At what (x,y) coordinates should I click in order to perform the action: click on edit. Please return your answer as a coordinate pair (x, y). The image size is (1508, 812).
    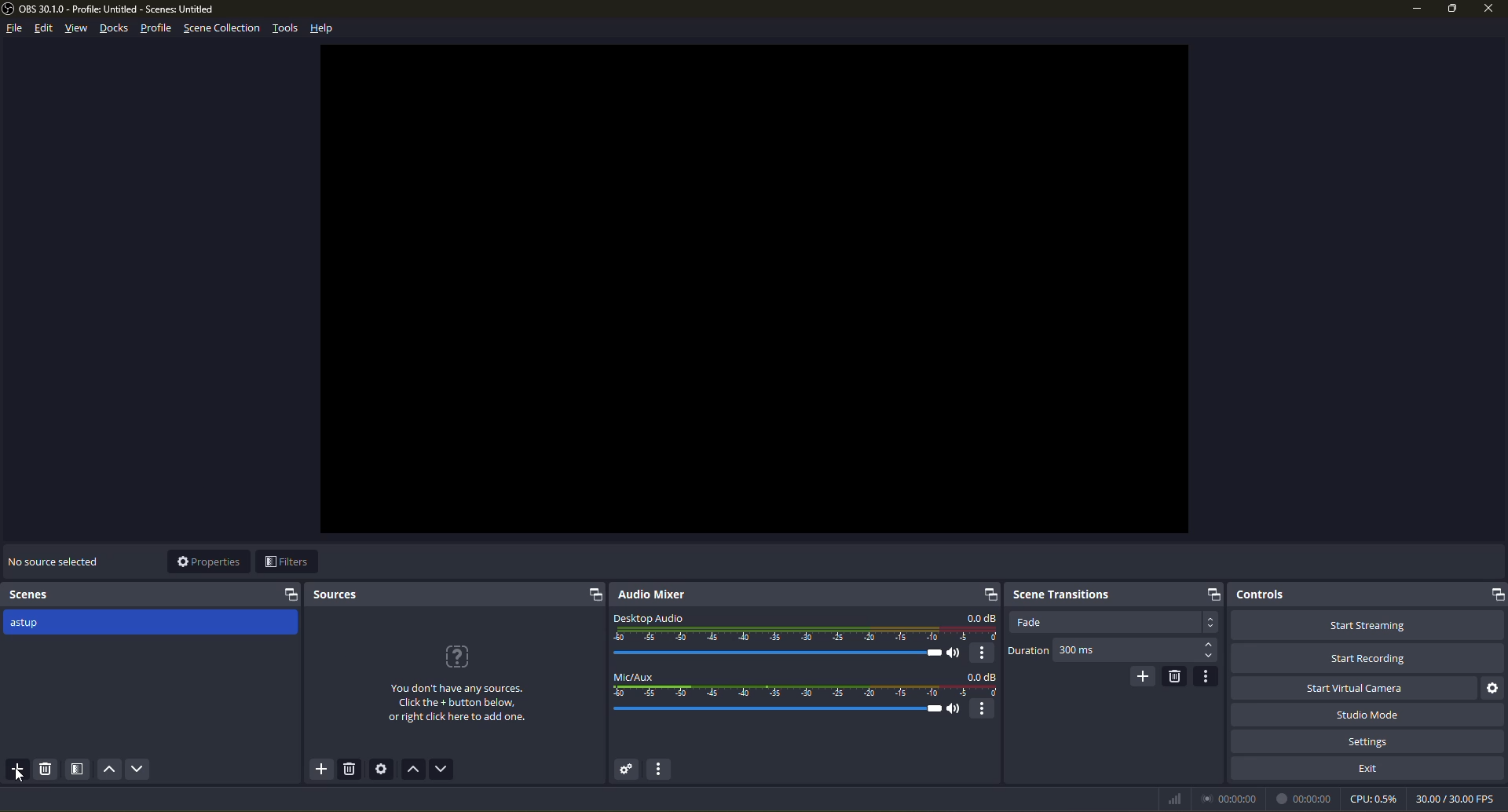
    Looking at the image, I should click on (44, 29).